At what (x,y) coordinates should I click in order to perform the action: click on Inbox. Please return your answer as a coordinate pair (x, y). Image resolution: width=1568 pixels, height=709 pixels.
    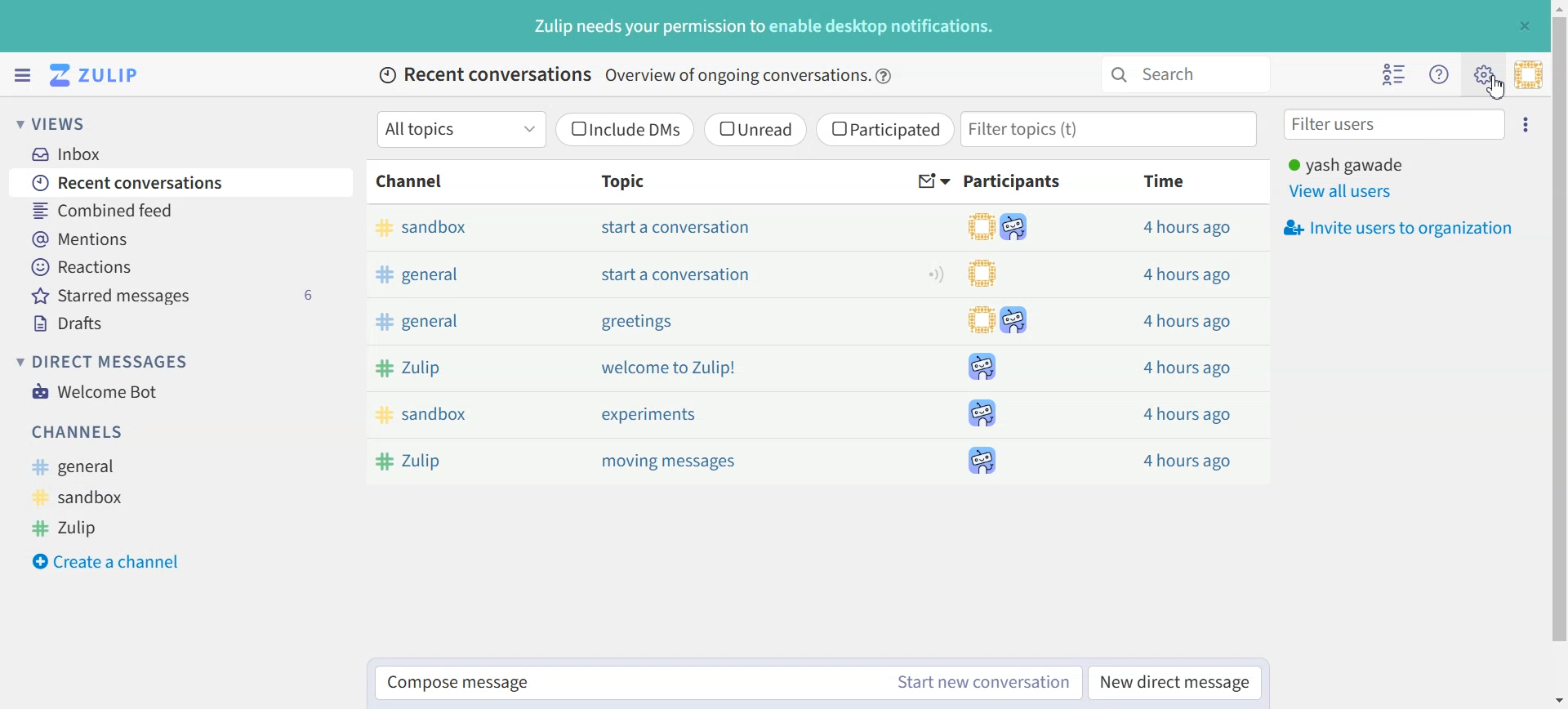
    Looking at the image, I should click on (74, 154).